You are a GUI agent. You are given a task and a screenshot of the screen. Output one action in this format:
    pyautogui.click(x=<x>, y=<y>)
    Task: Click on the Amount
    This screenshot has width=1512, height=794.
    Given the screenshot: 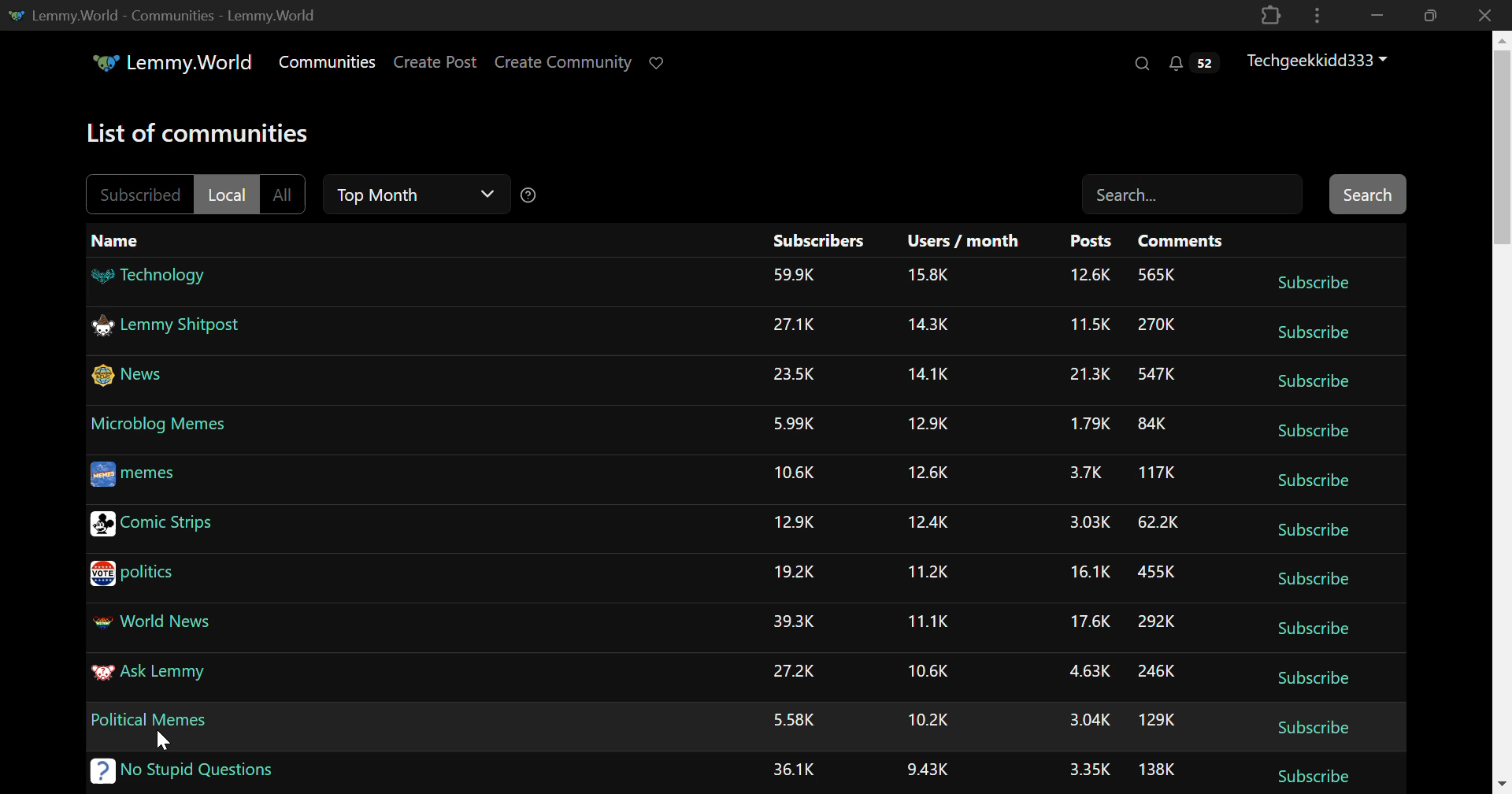 What is the action you would take?
    pyautogui.click(x=1157, y=326)
    